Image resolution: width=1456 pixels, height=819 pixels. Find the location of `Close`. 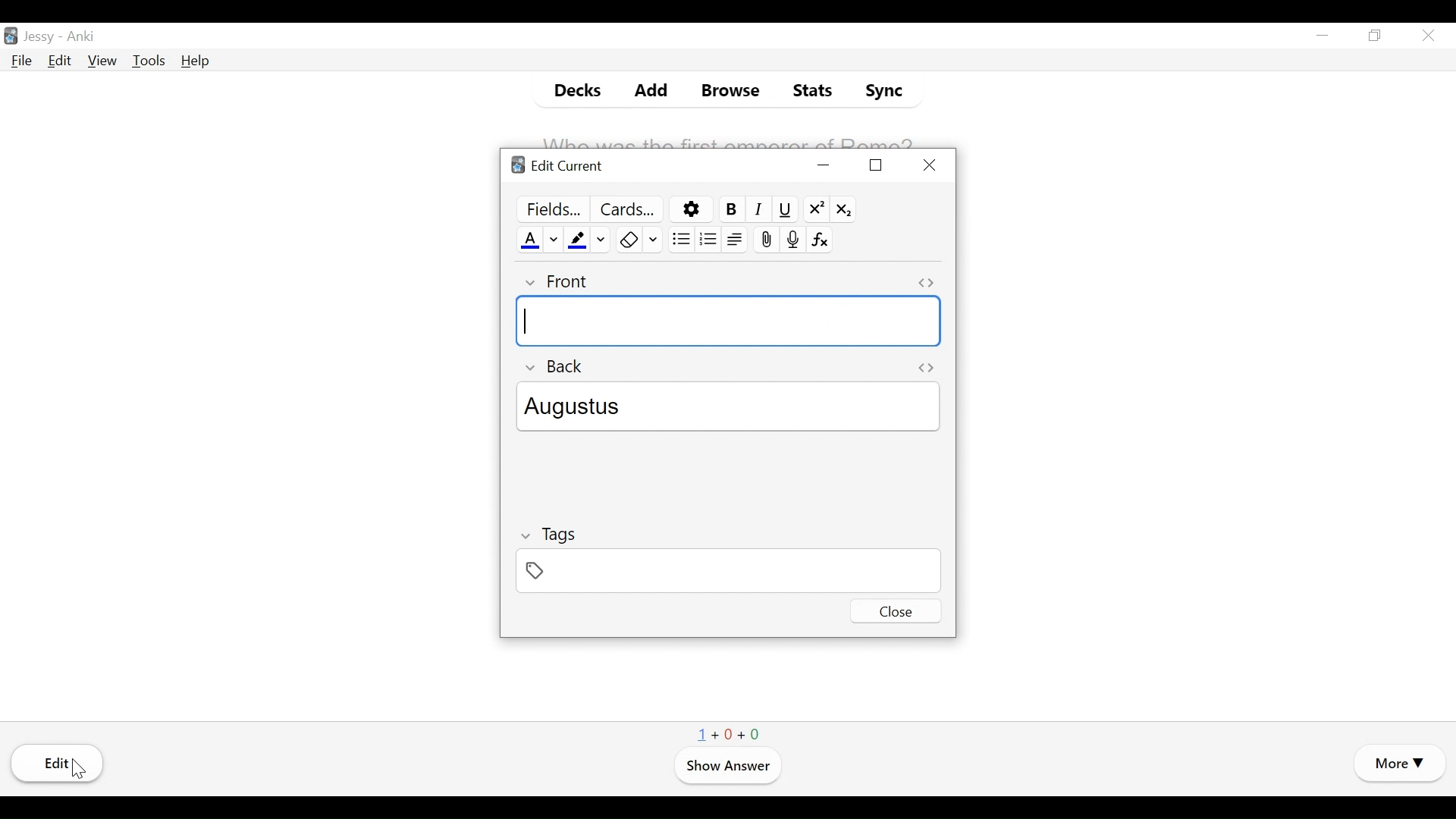

Close is located at coordinates (929, 165).